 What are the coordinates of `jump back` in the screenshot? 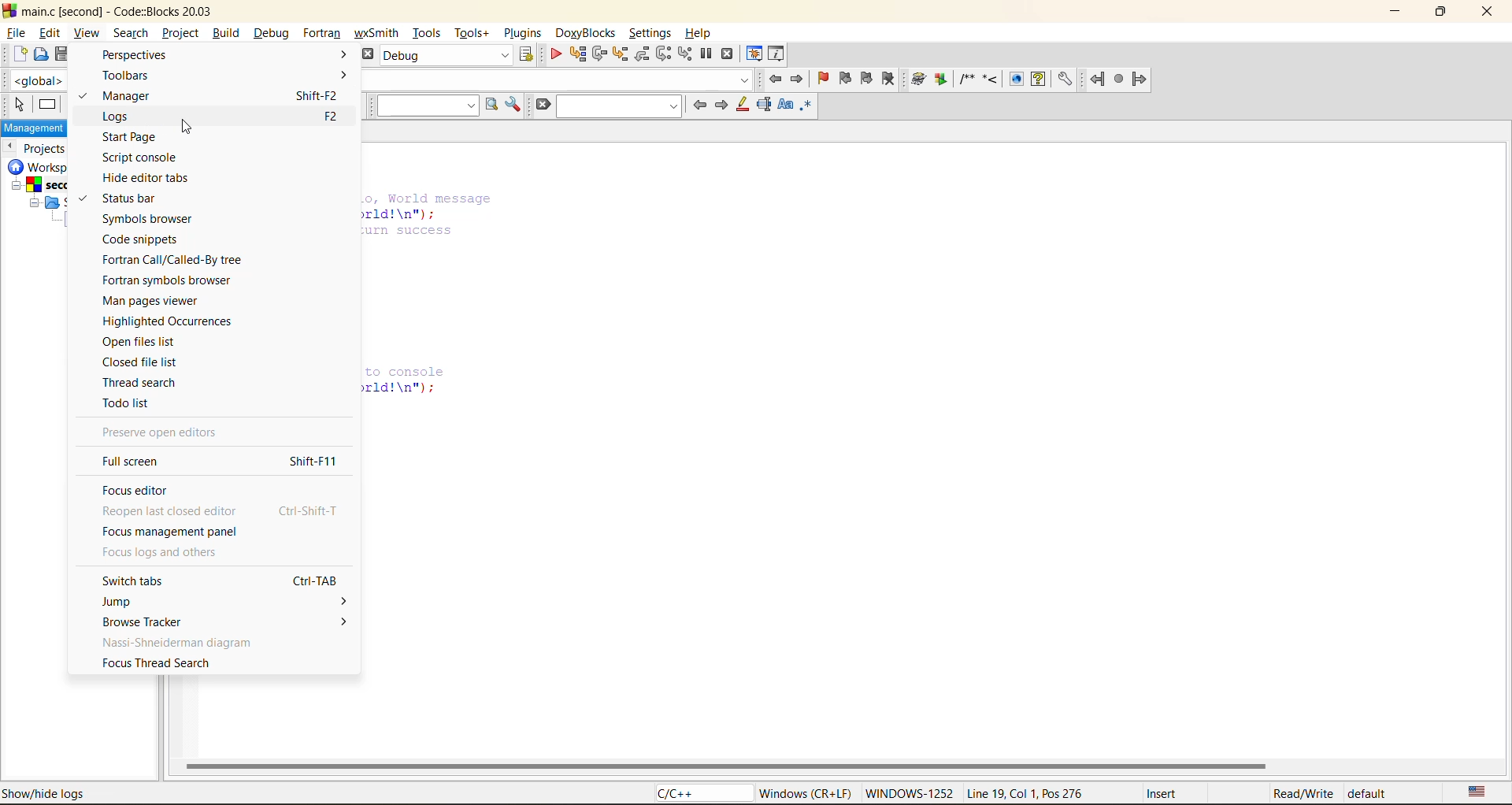 It's located at (777, 80).